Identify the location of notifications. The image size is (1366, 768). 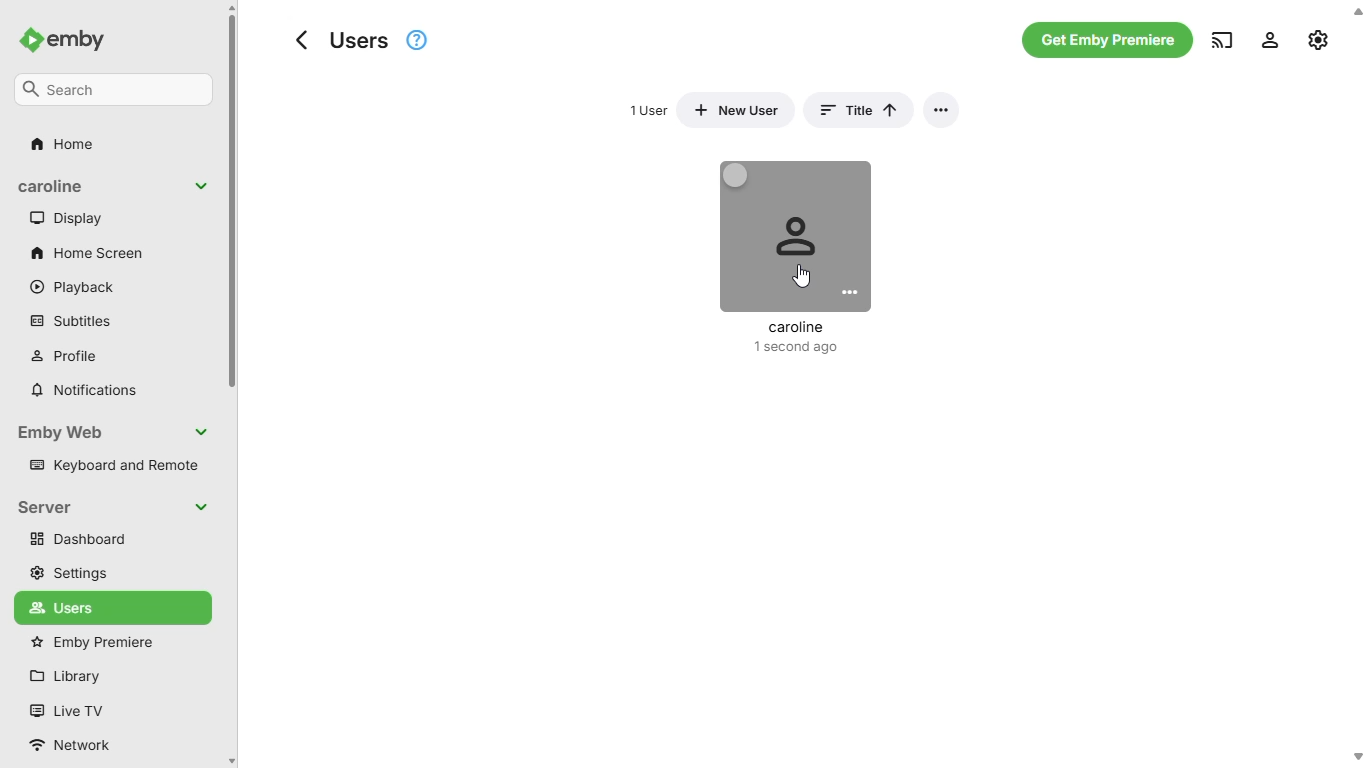
(85, 391).